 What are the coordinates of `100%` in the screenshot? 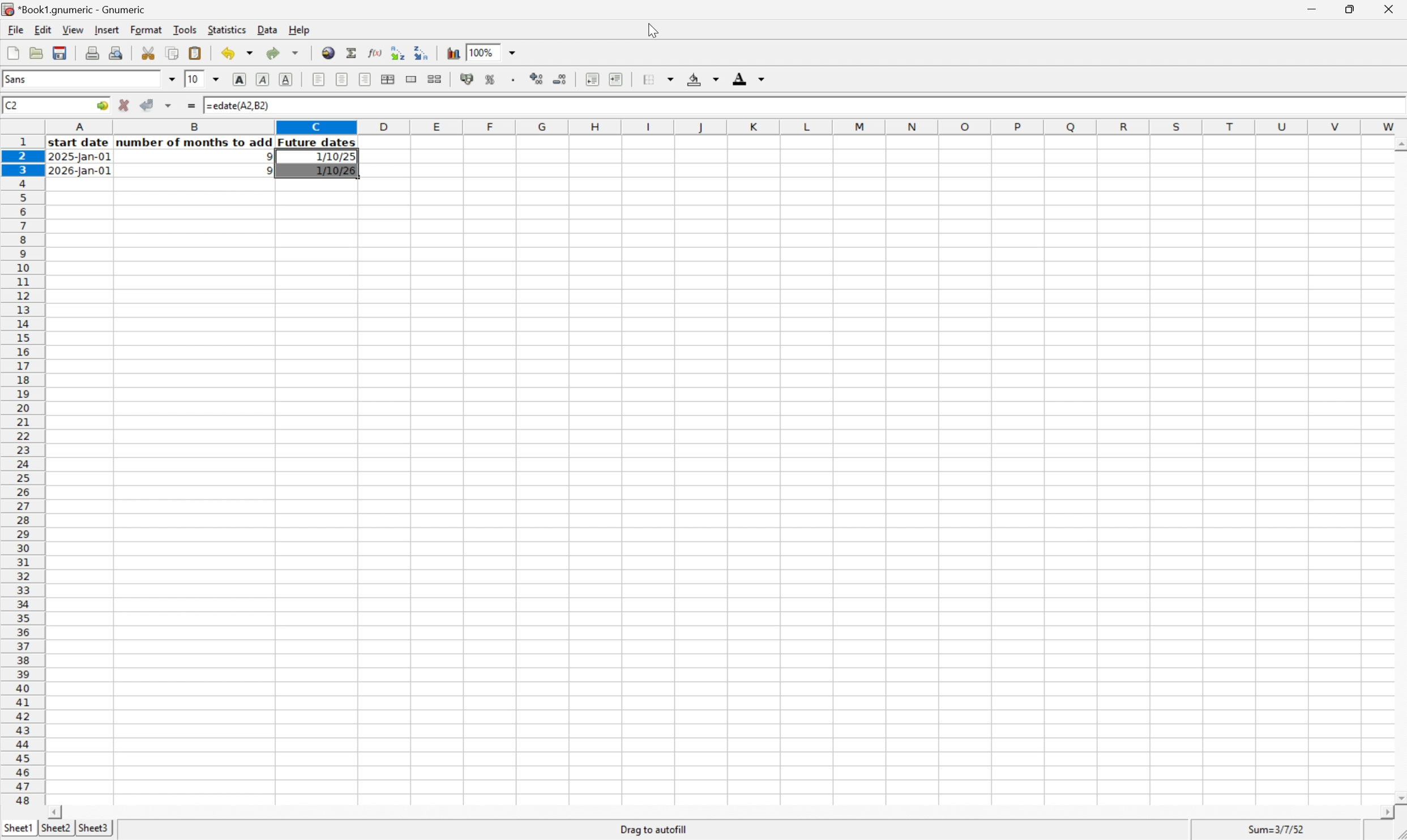 It's located at (480, 52).